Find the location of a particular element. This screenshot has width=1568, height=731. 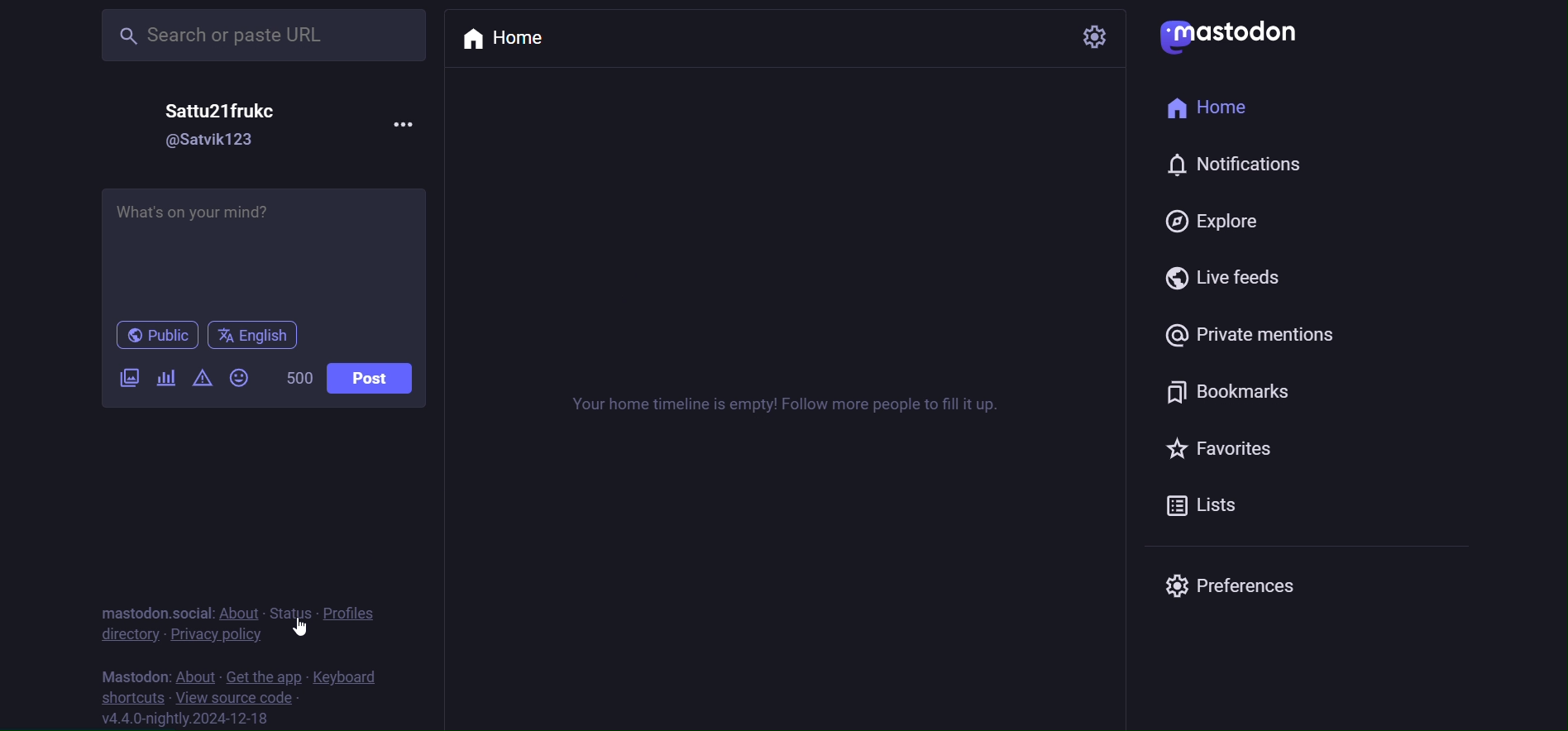

Profiles is located at coordinates (366, 611).